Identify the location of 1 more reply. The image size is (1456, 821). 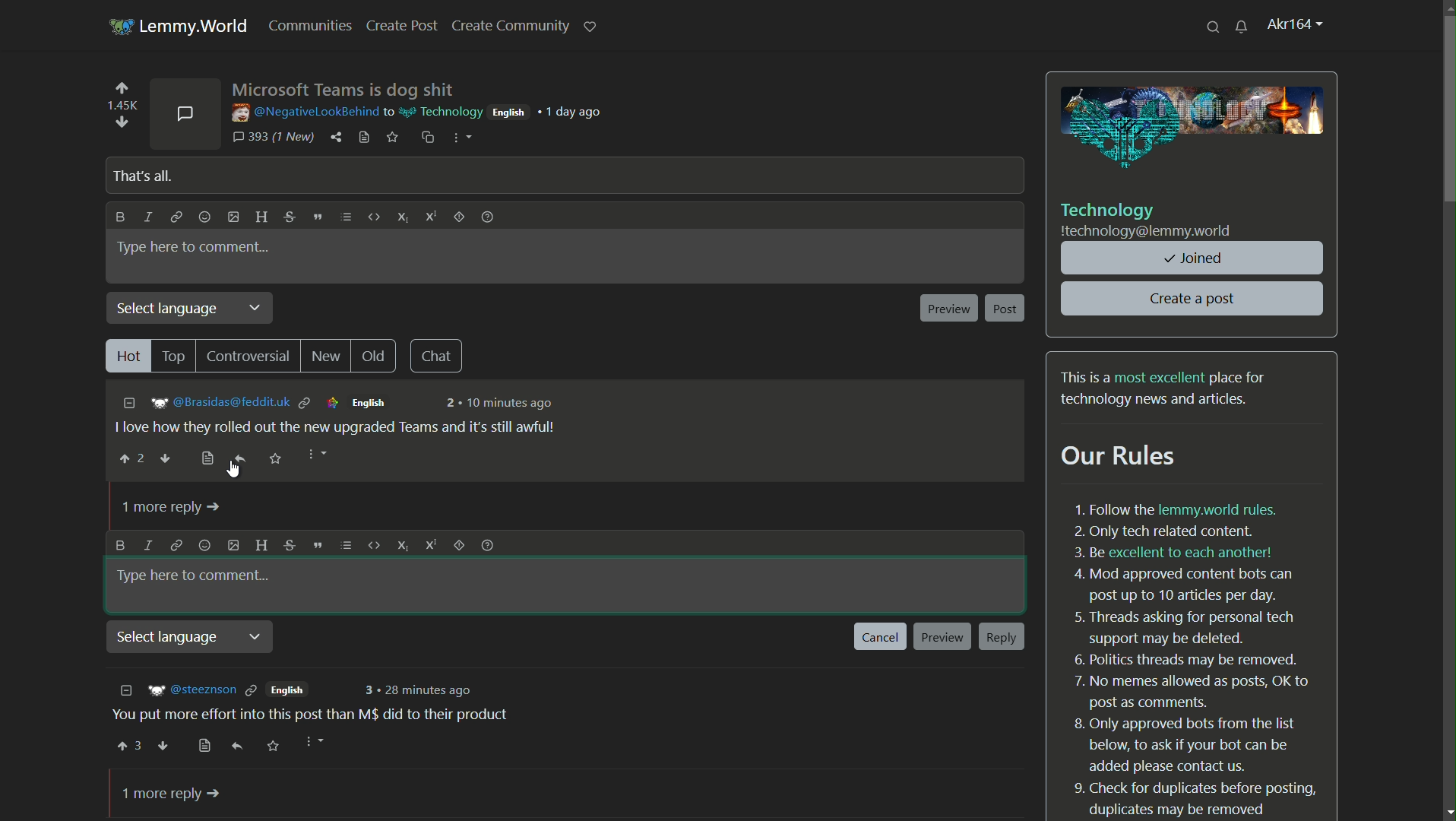
(173, 794).